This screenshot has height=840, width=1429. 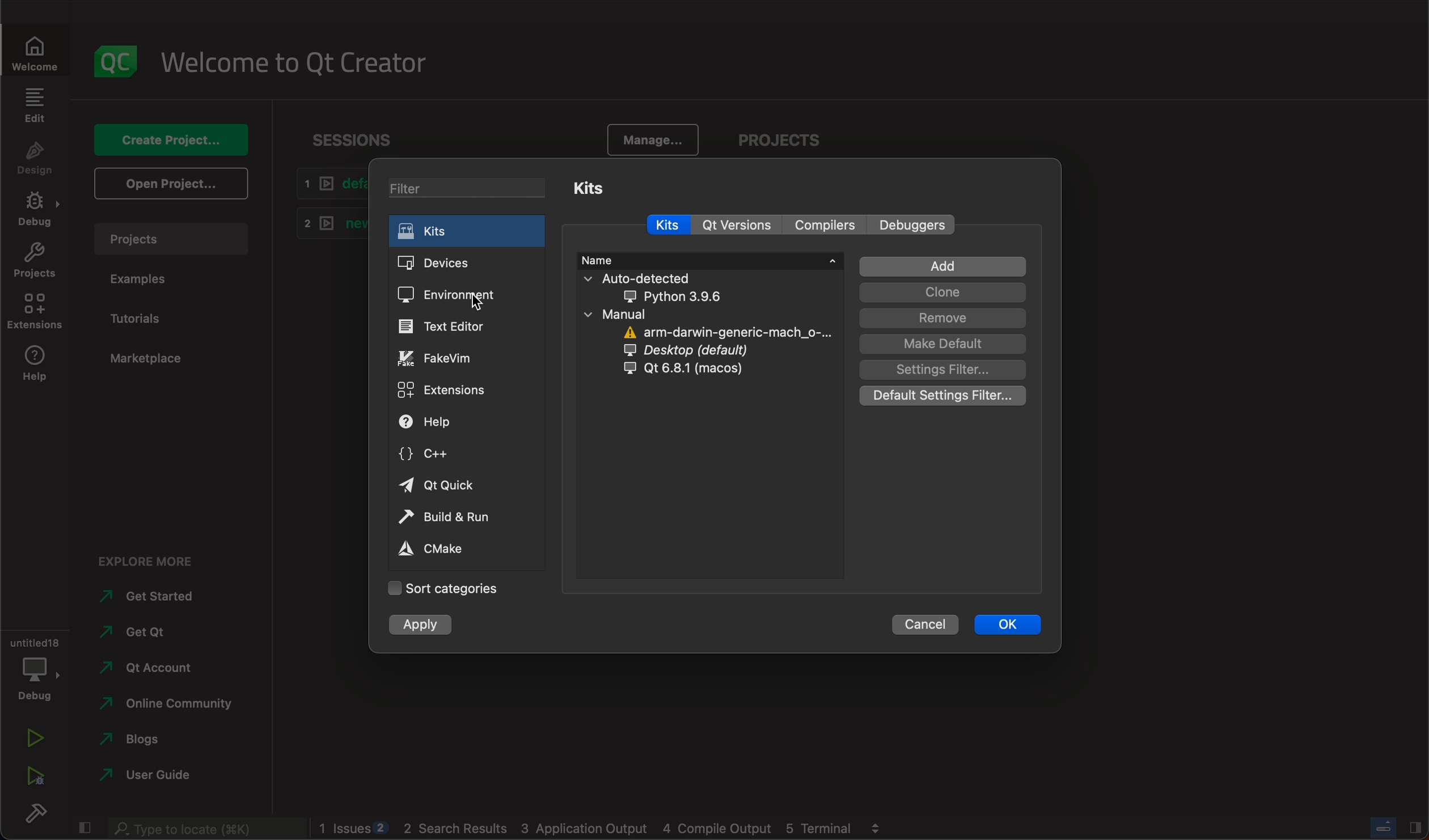 What do you see at coordinates (172, 184) in the screenshot?
I see `open` at bounding box center [172, 184].